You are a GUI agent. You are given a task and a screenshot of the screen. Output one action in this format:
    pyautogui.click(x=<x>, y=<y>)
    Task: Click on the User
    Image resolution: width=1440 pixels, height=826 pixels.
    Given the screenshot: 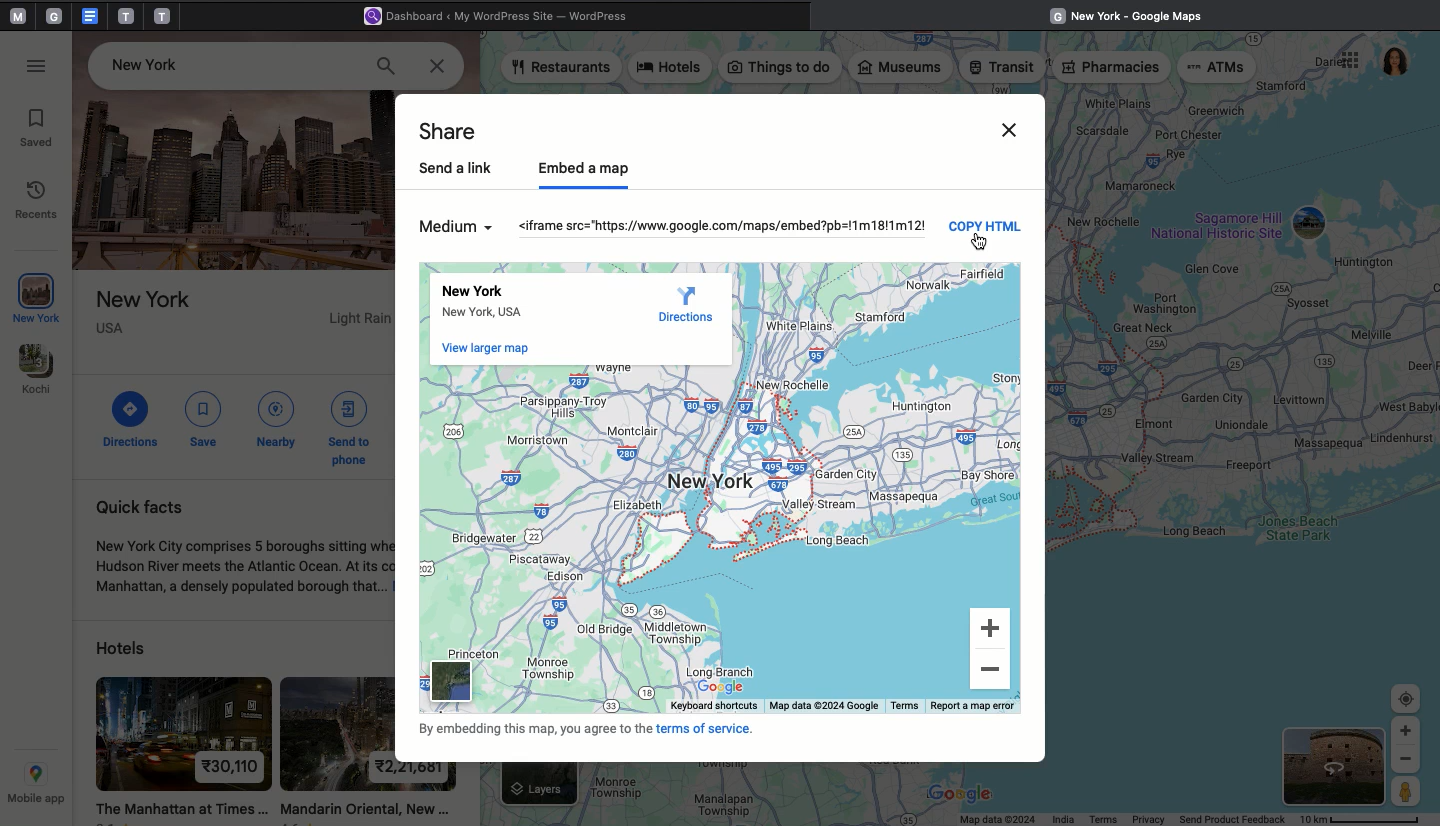 What is the action you would take?
    pyautogui.click(x=1395, y=62)
    